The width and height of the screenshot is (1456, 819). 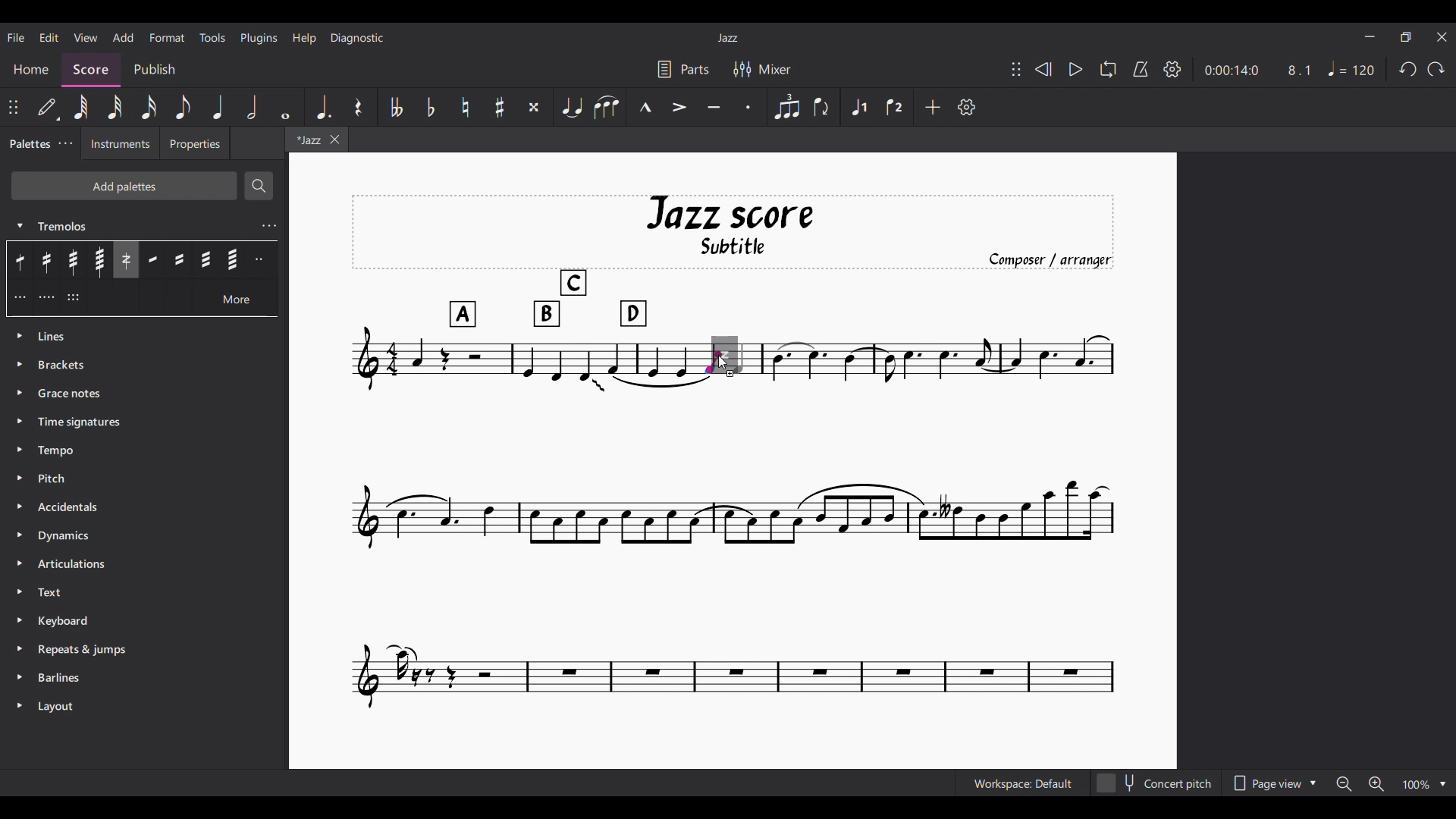 I want to click on Indicates point of contact, so click(x=713, y=362).